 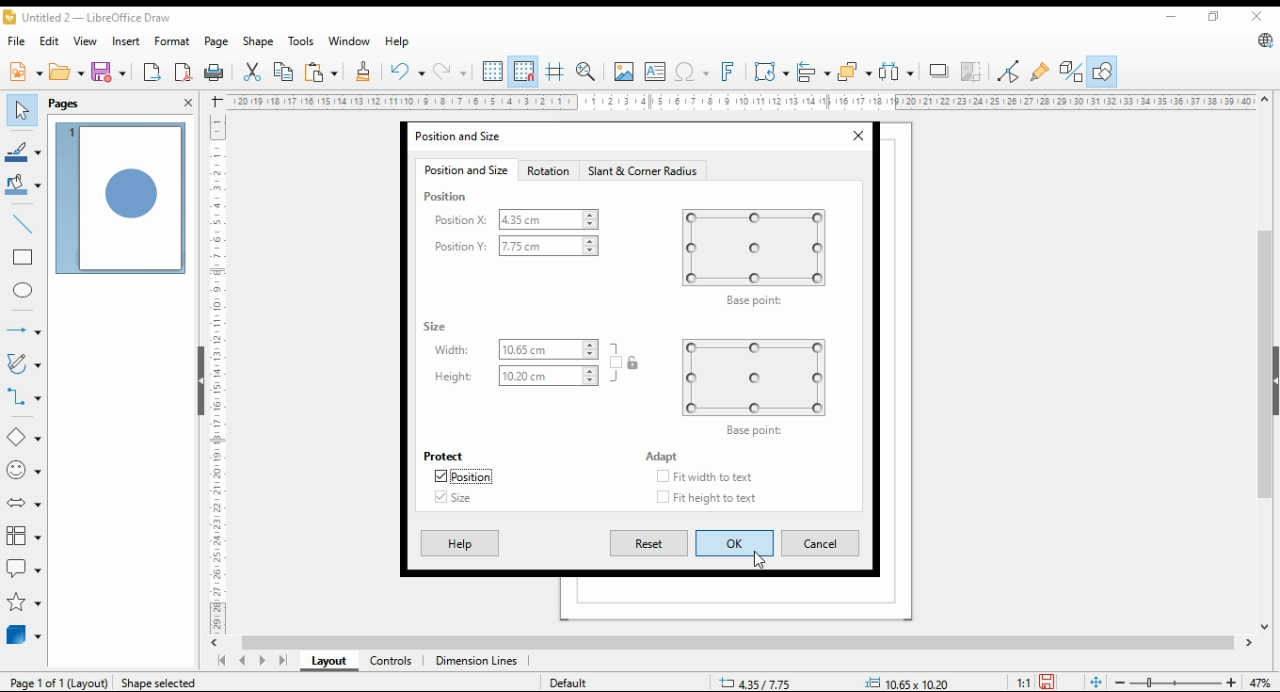 I want to click on toggle extrusions, so click(x=1071, y=70).